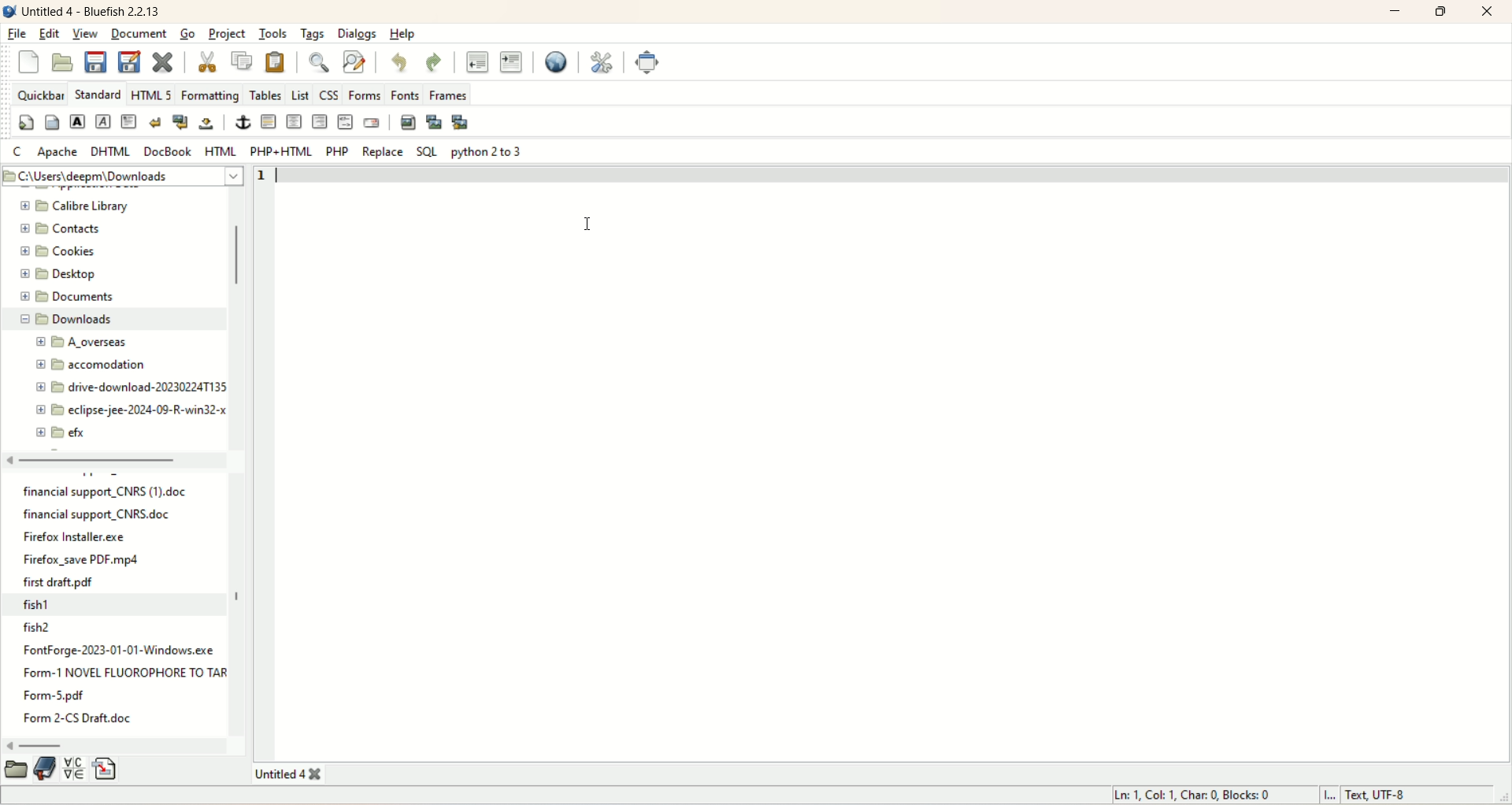 The image size is (1512, 805). I want to click on new, so click(28, 63).